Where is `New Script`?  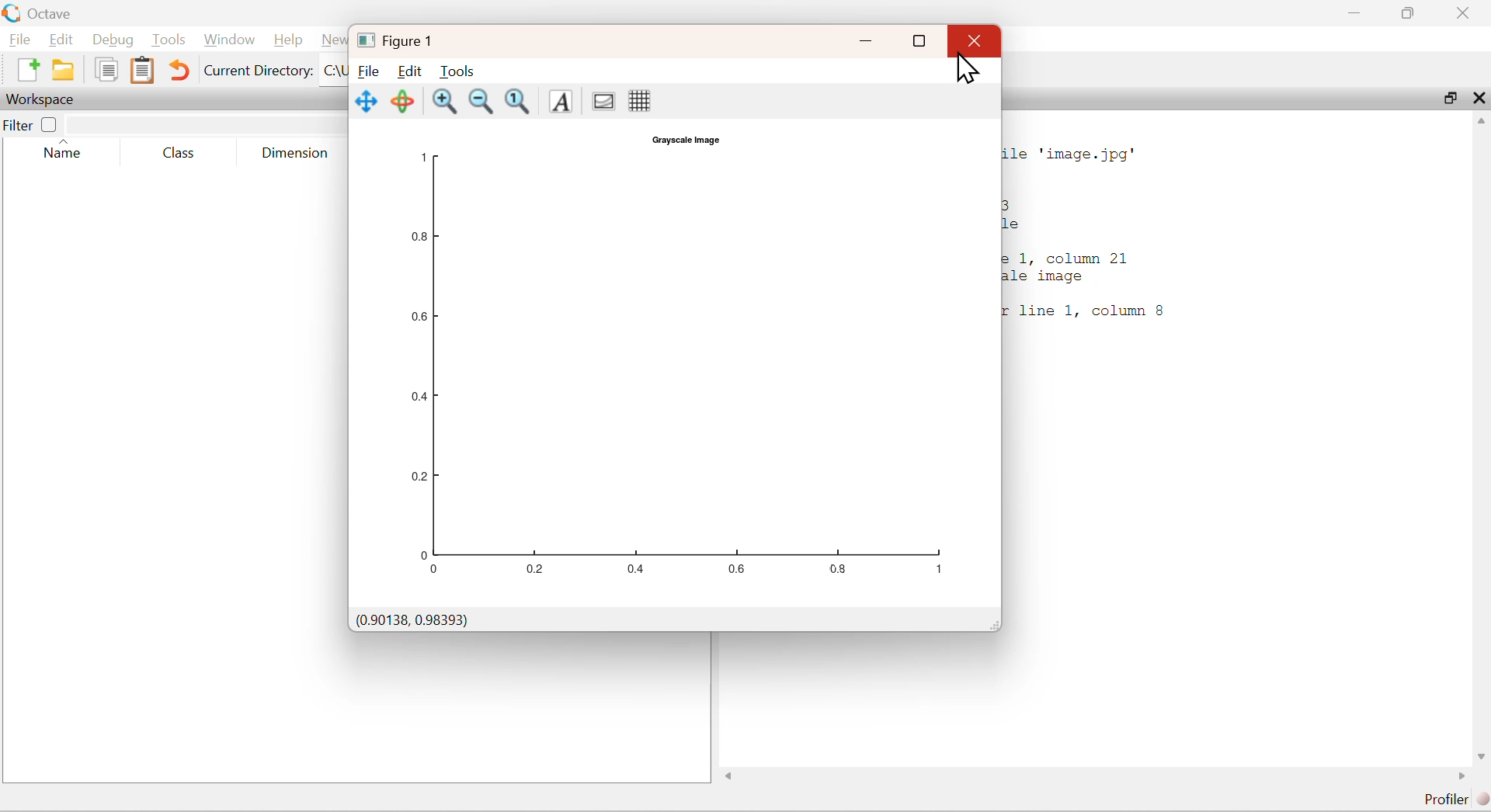
New Script is located at coordinates (25, 69).